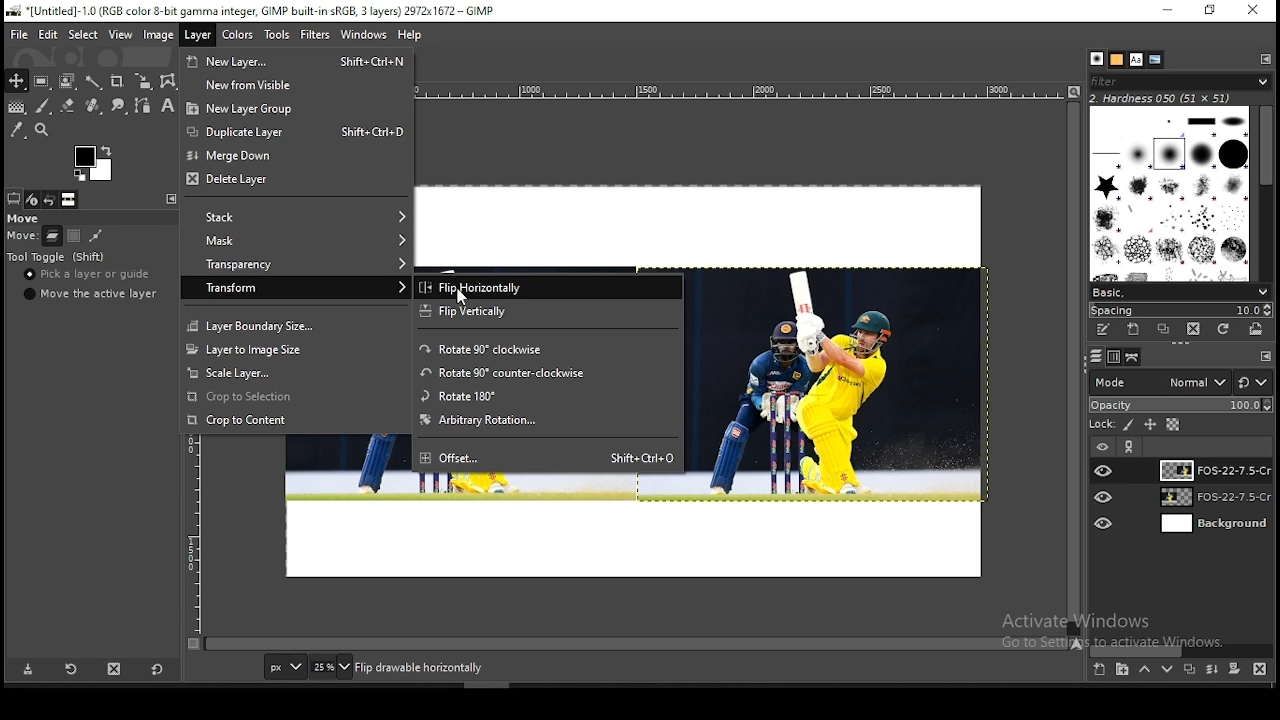 This screenshot has width=1280, height=720. What do you see at coordinates (70, 670) in the screenshot?
I see `restore tool preset` at bounding box center [70, 670].